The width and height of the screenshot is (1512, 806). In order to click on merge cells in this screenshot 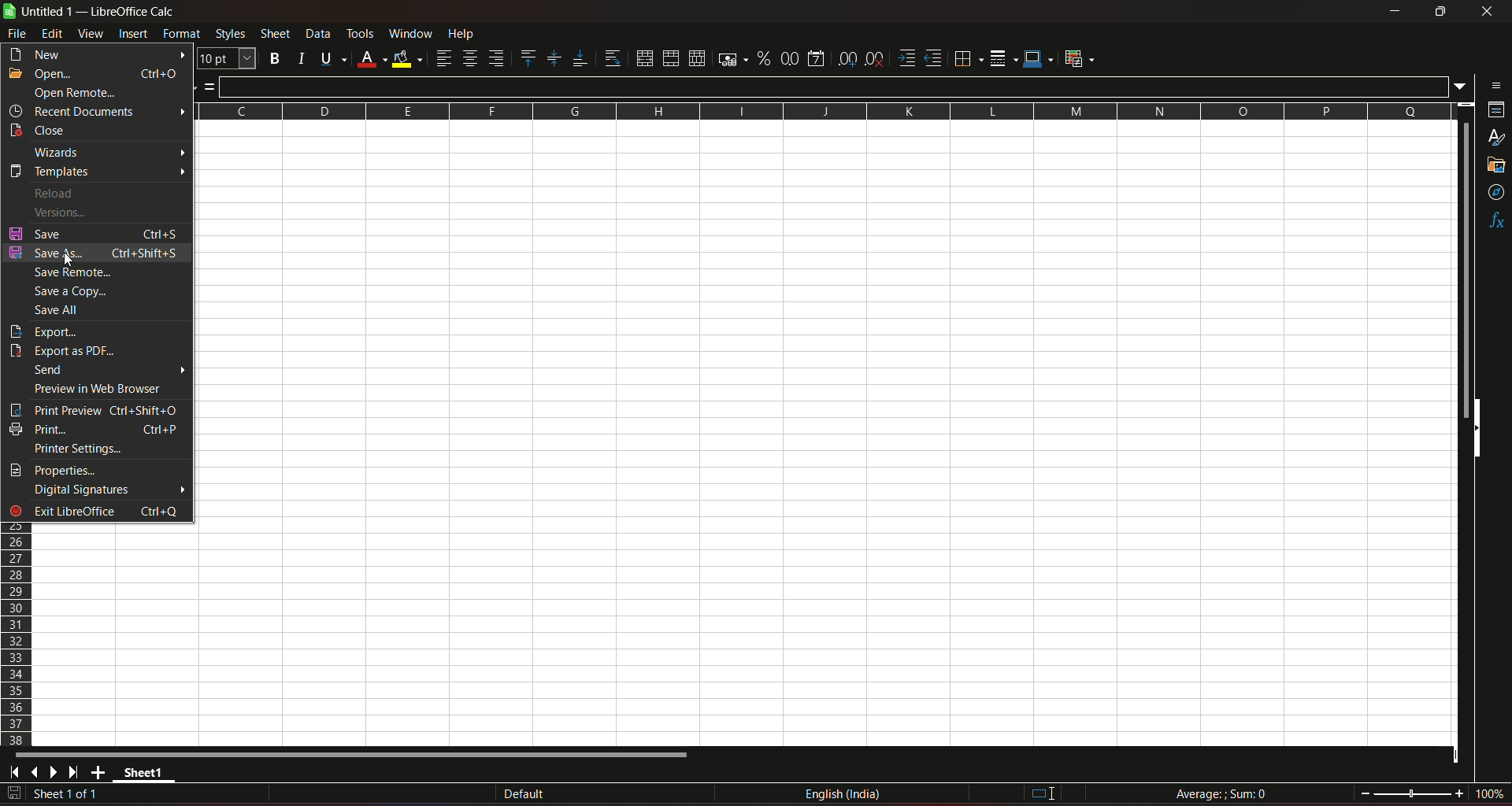, I will do `click(671, 57)`.